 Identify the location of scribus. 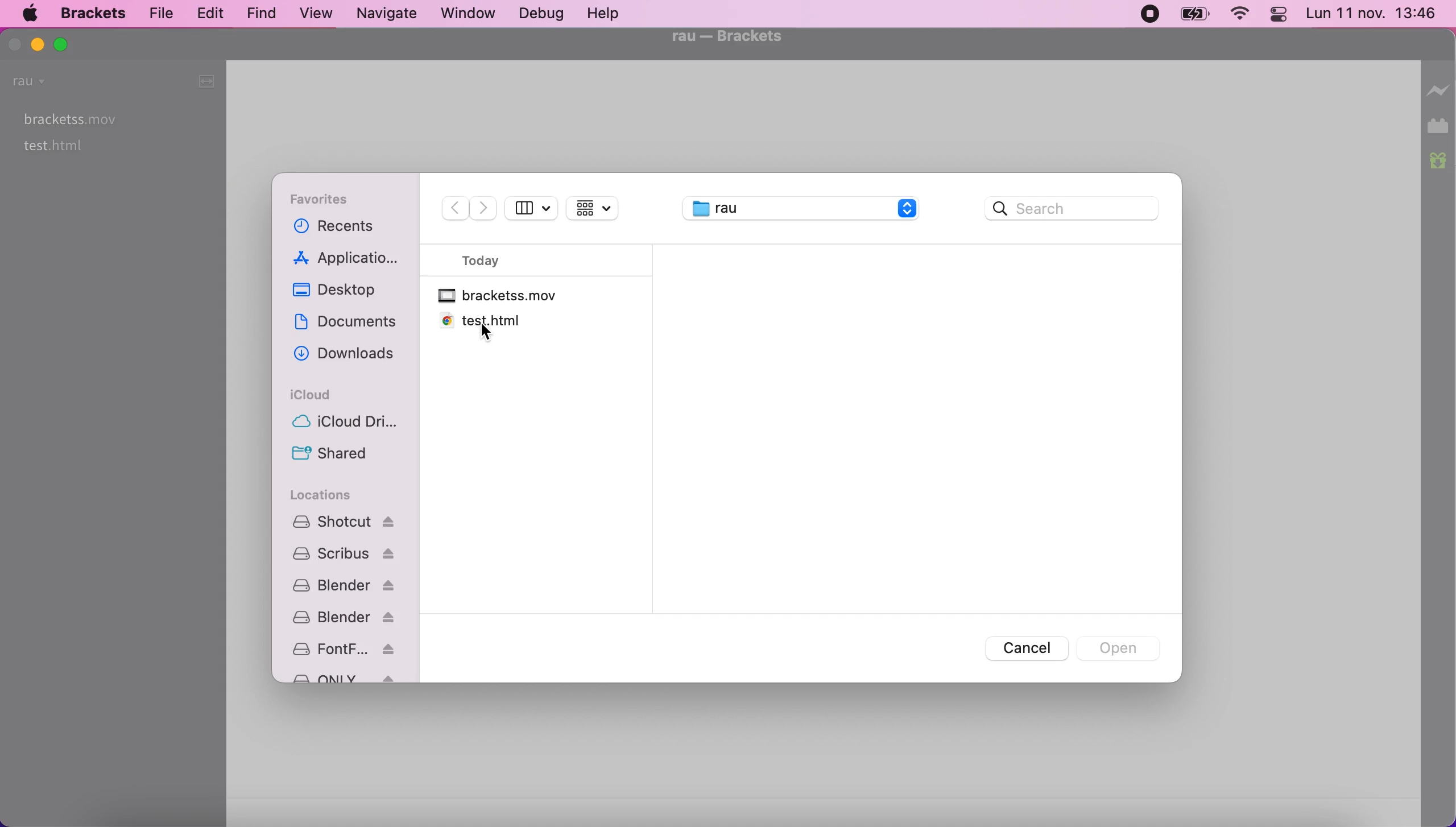
(350, 554).